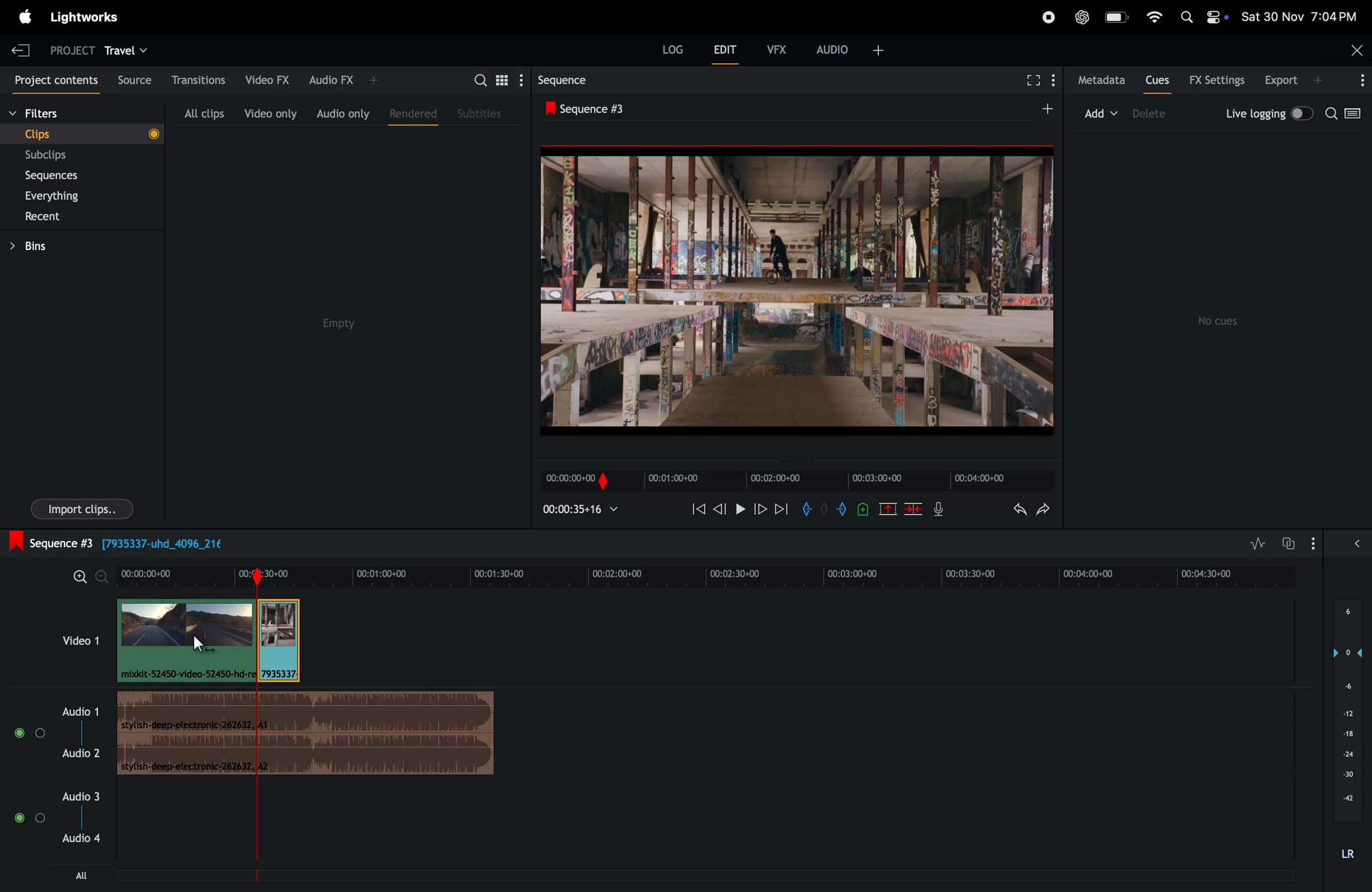 This screenshot has height=892, width=1372. What do you see at coordinates (738, 511) in the screenshot?
I see `play` at bounding box center [738, 511].